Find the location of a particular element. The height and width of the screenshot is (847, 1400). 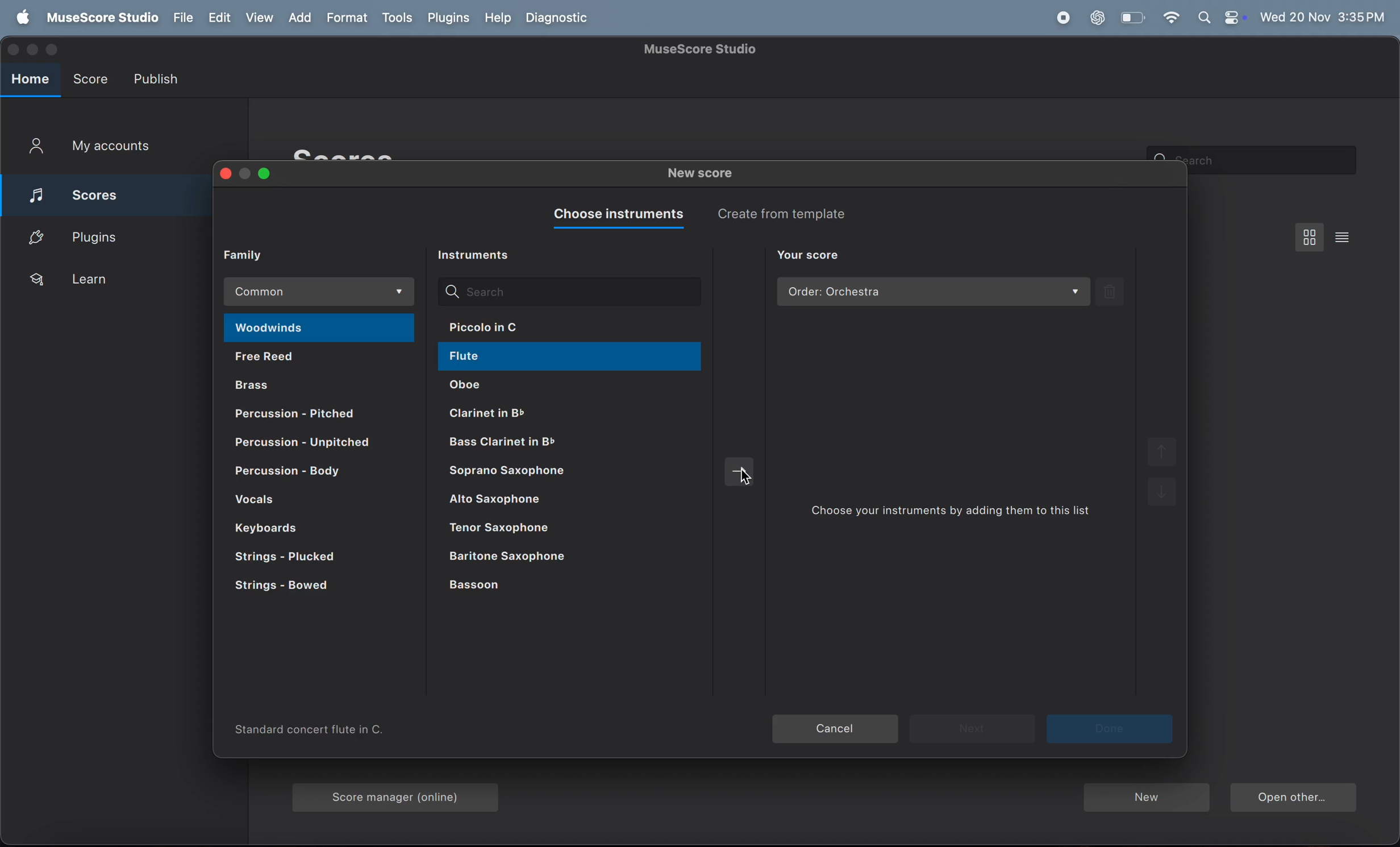

strings bowed is located at coordinates (301, 589).